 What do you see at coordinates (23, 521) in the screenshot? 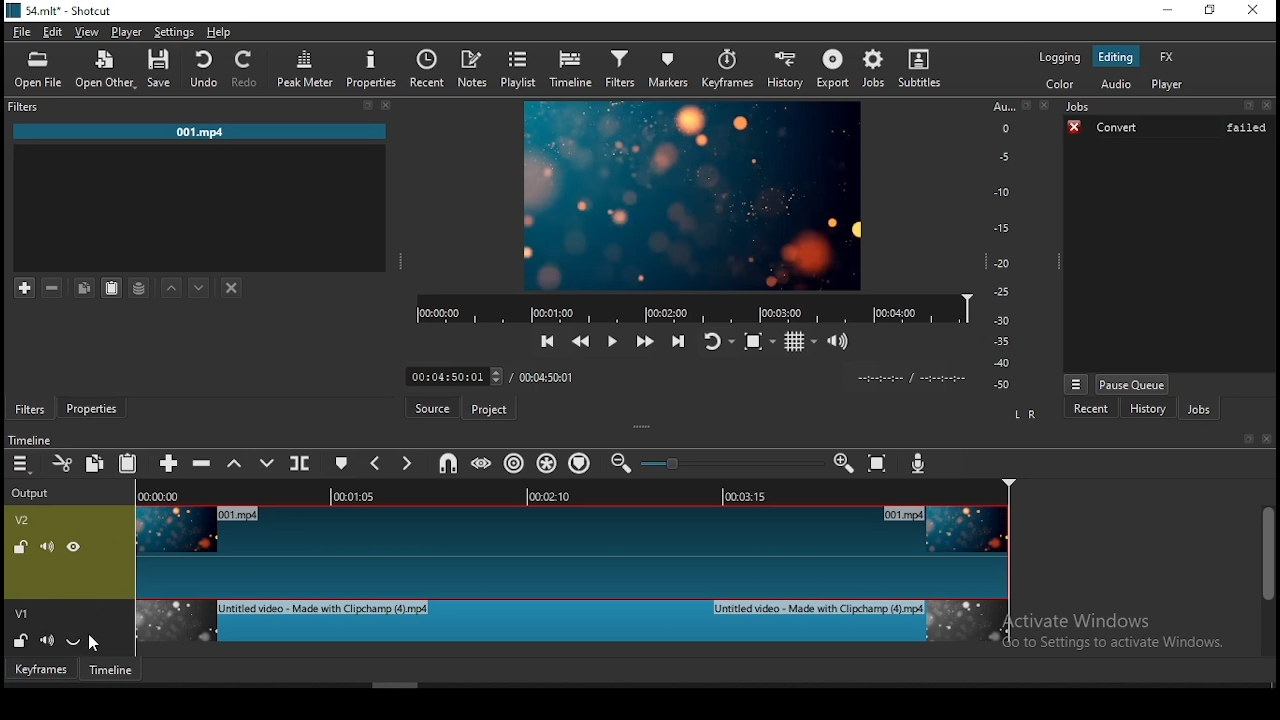
I see `v2` at bounding box center [23, 521].